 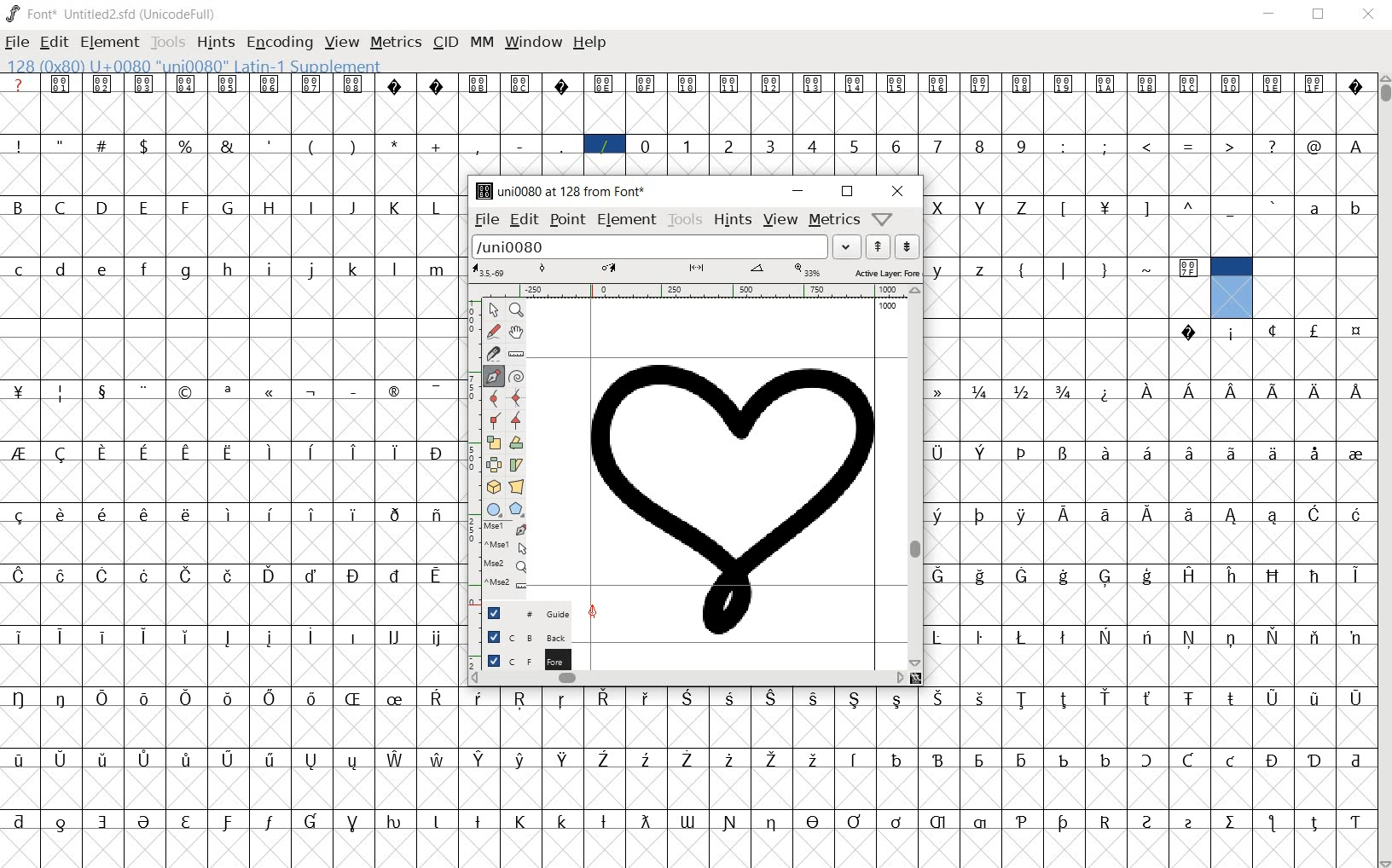 What do you see at coordinates (937, 146) in the screenshot?
I see `glyph` at bounding box center [937, 146].